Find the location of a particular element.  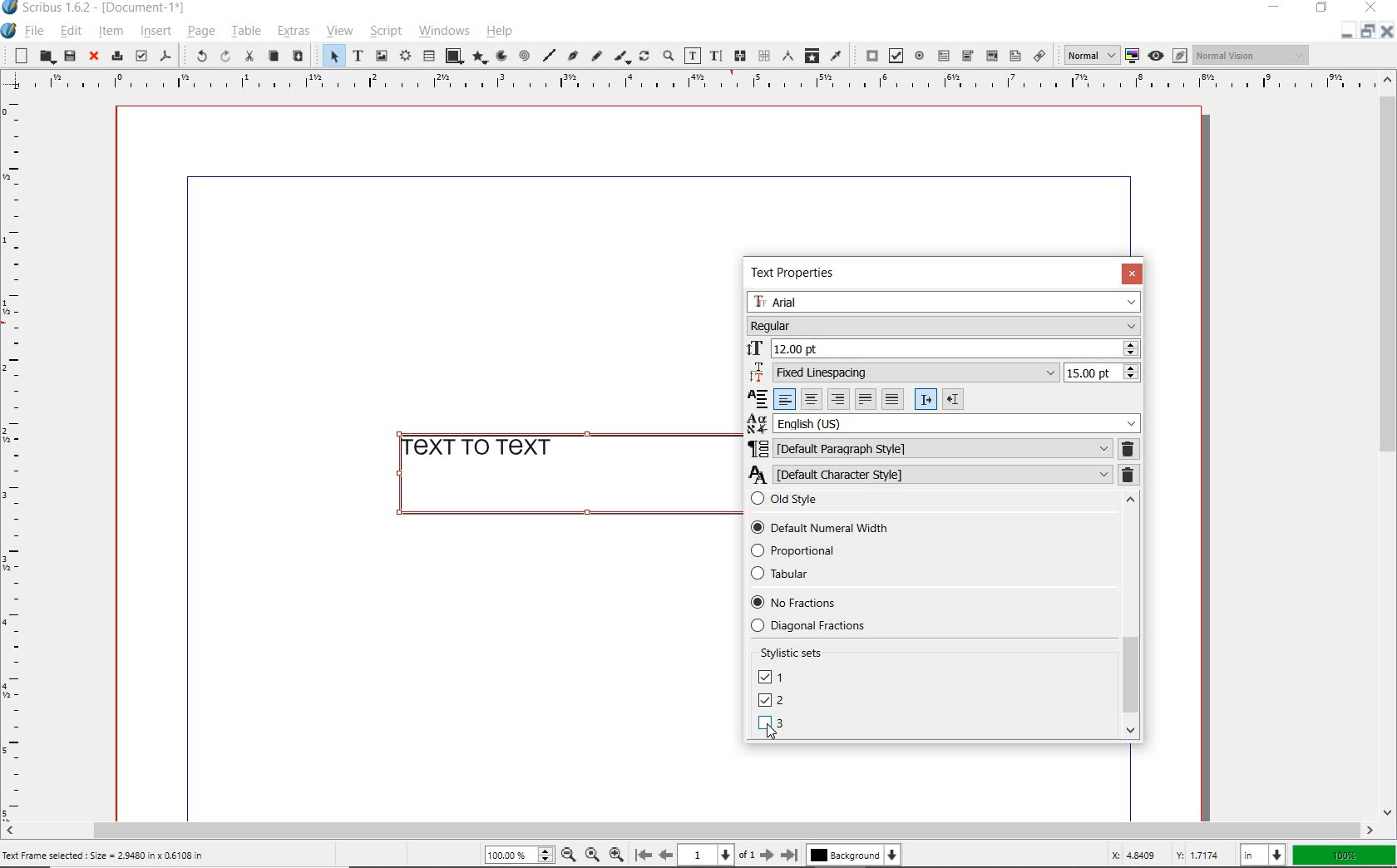

measurements is located at coordinates (787, 57).